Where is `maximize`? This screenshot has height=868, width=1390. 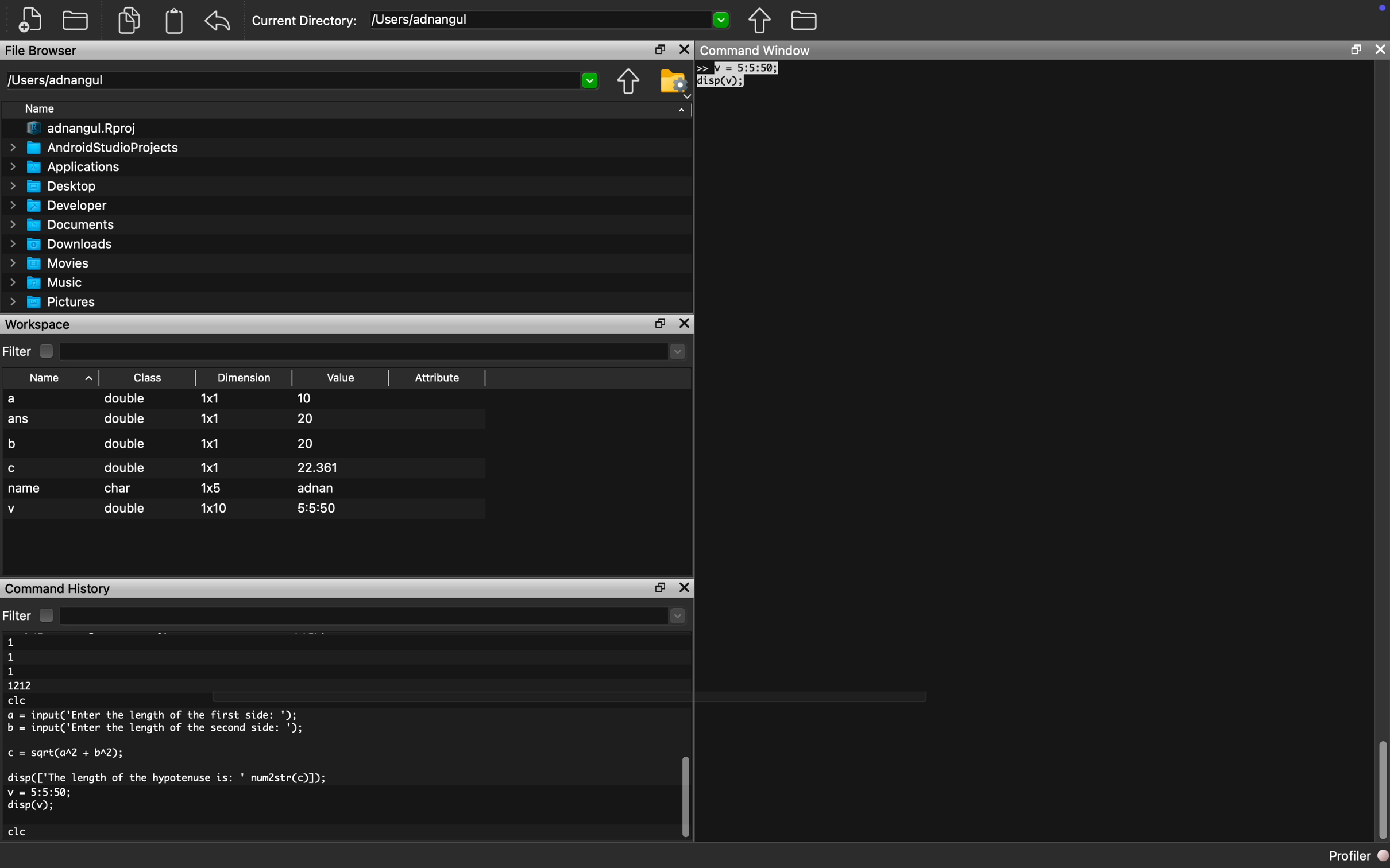
maximize is located at coordinates (659, 50).